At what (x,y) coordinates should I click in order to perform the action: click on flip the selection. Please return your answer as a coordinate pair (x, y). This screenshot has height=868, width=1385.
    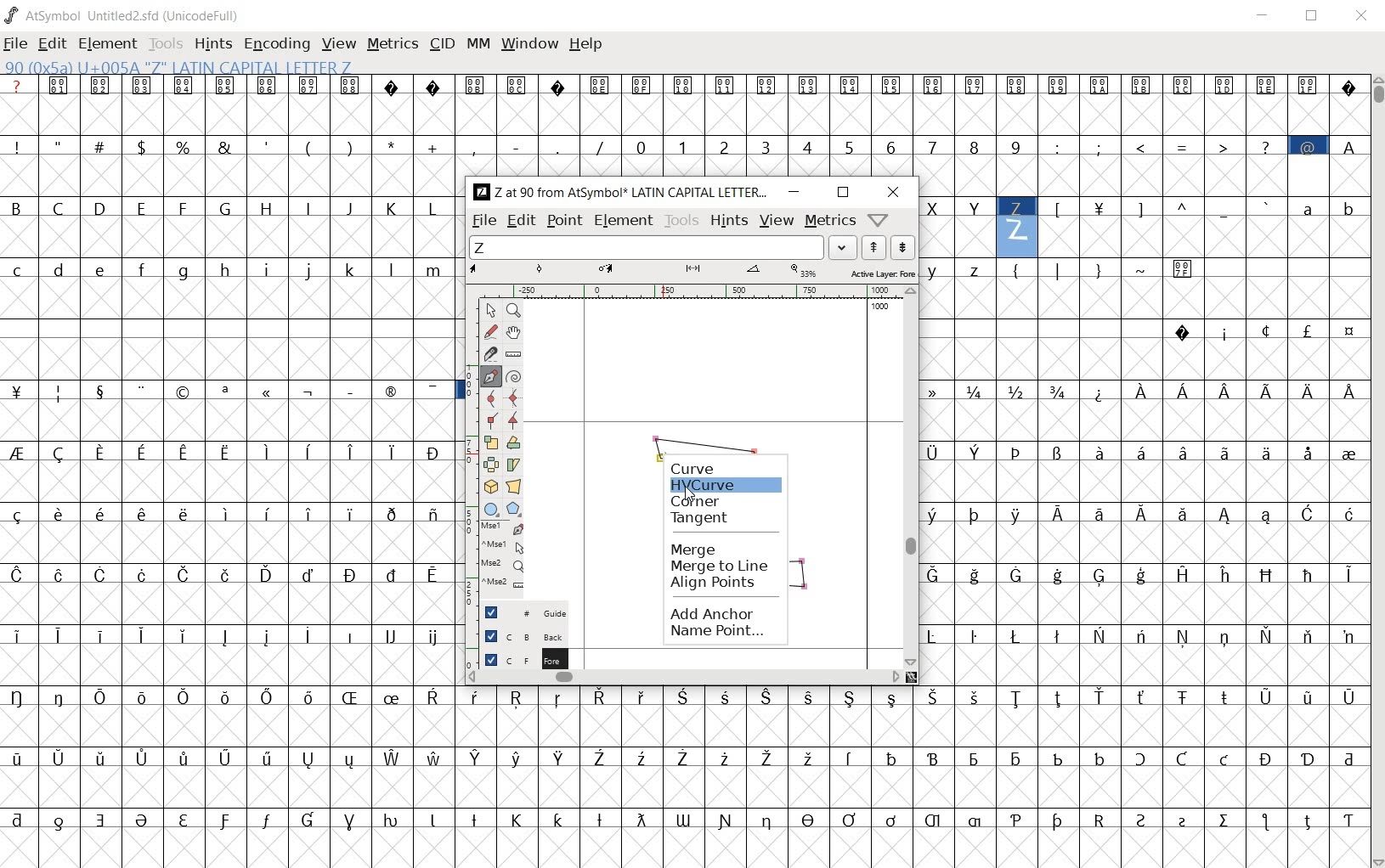
    Looking at the image, I should click on (490, 465).